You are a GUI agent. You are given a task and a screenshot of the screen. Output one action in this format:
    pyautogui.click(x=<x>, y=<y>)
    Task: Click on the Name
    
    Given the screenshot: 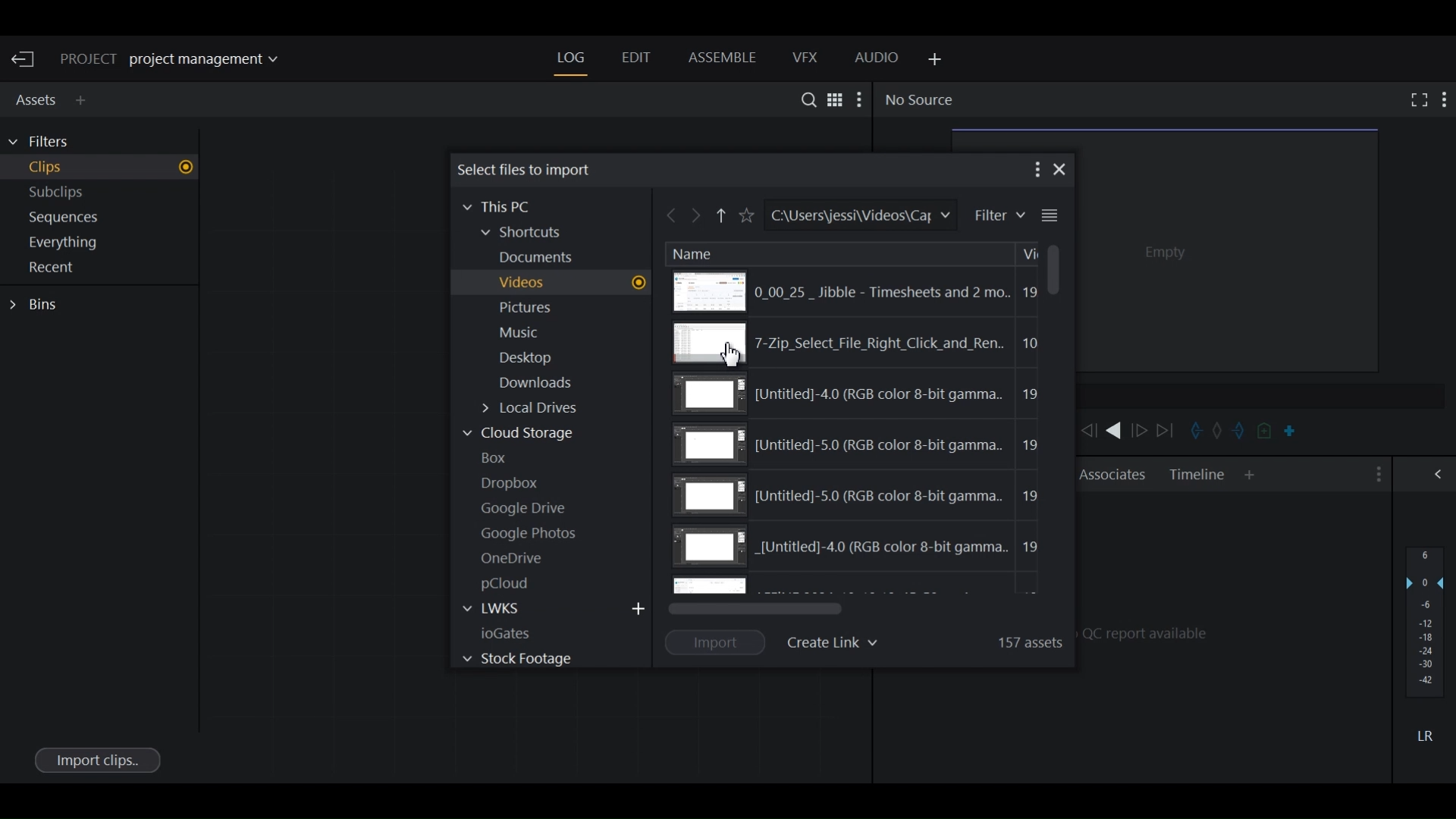 What is the action you would take?
    pyautogui.click(x=693, y=253)
    